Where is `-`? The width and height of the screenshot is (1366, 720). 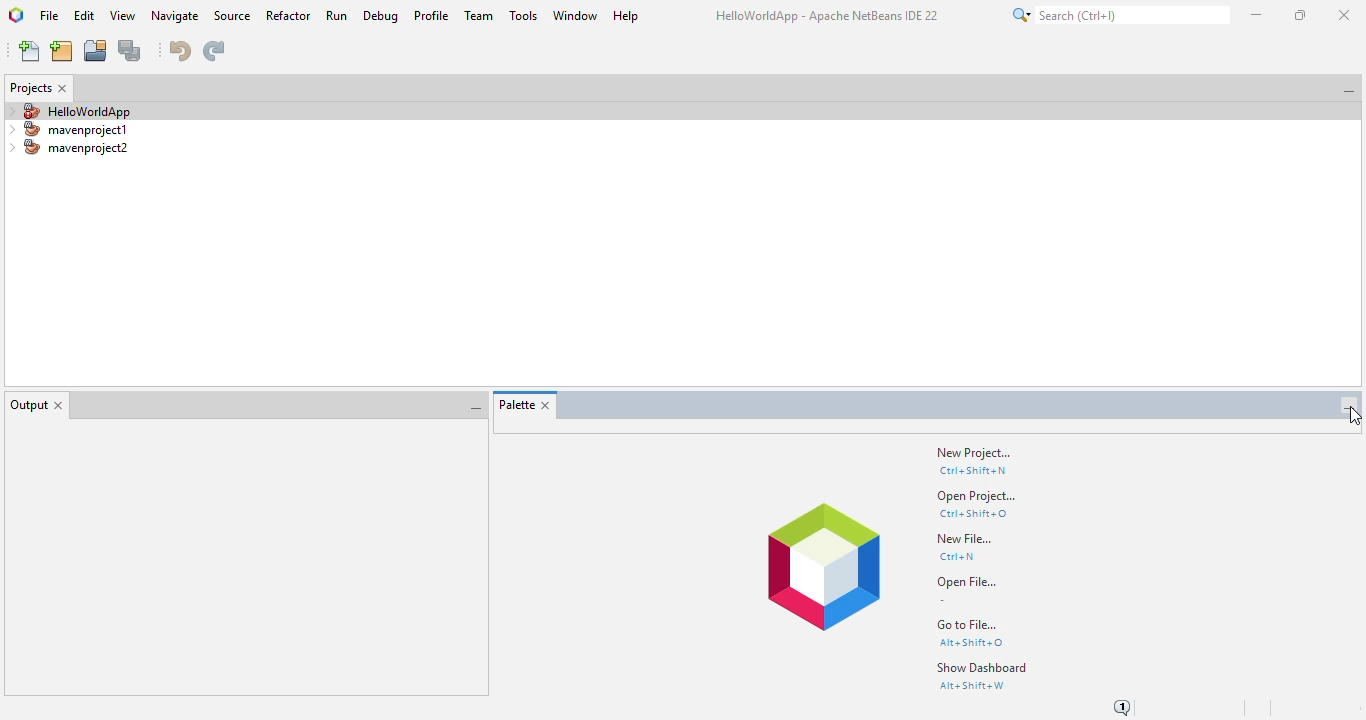
- is located at coordinates (951, 600).